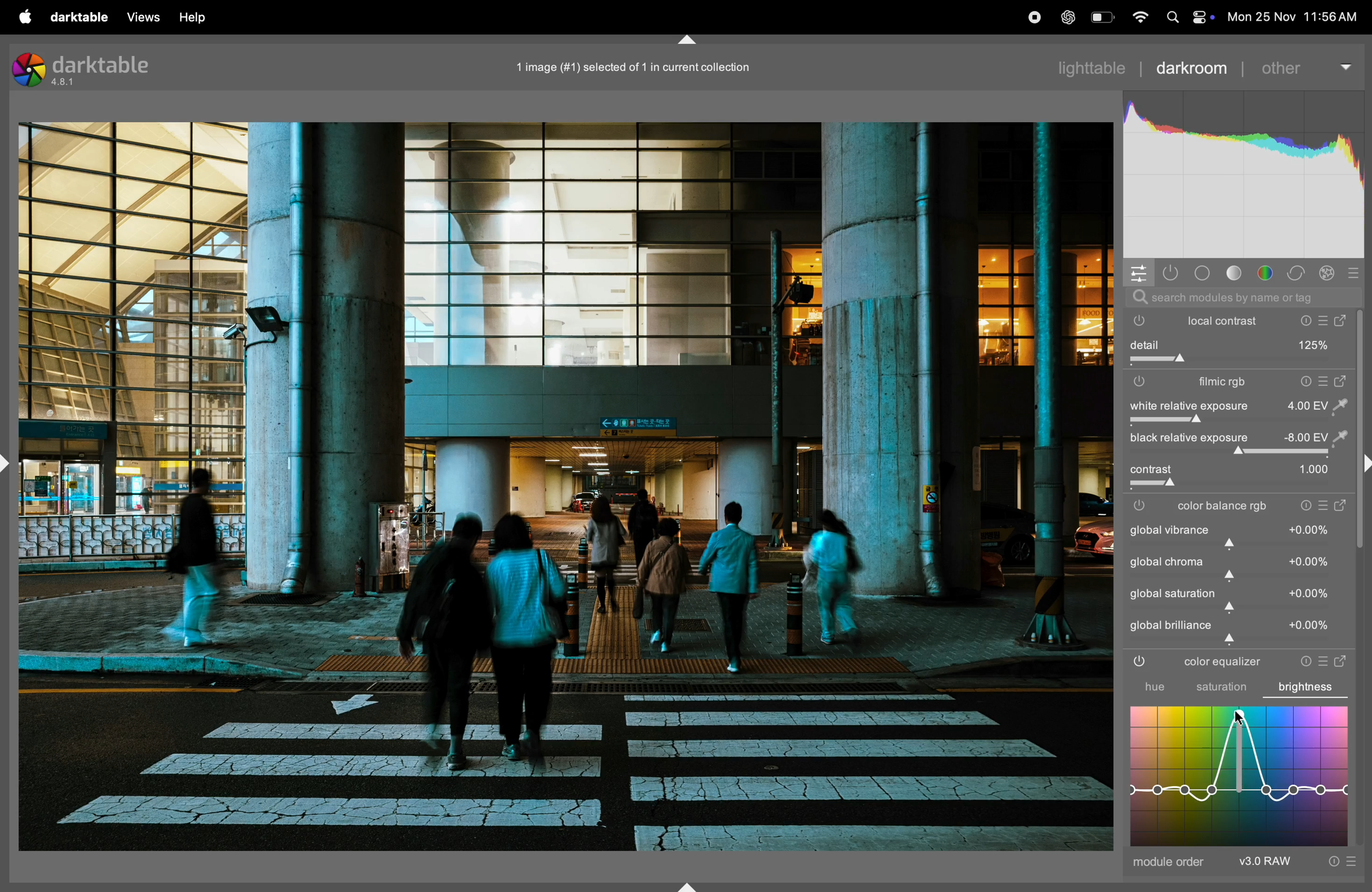 This screenshot has width=1372, height=892. Describe the element at coordinates (1343, 659) in the screenshot. I see `open window` at that location.